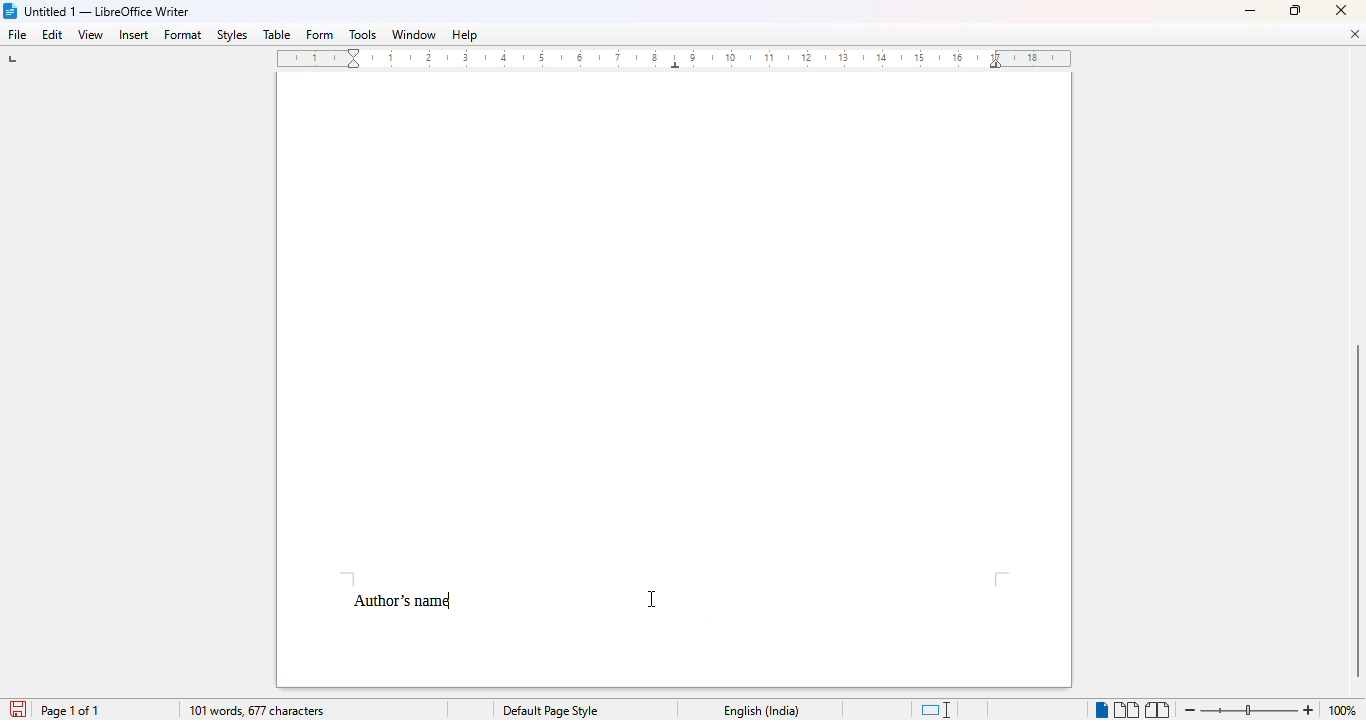  I want to click on tools, so click(362, 35).